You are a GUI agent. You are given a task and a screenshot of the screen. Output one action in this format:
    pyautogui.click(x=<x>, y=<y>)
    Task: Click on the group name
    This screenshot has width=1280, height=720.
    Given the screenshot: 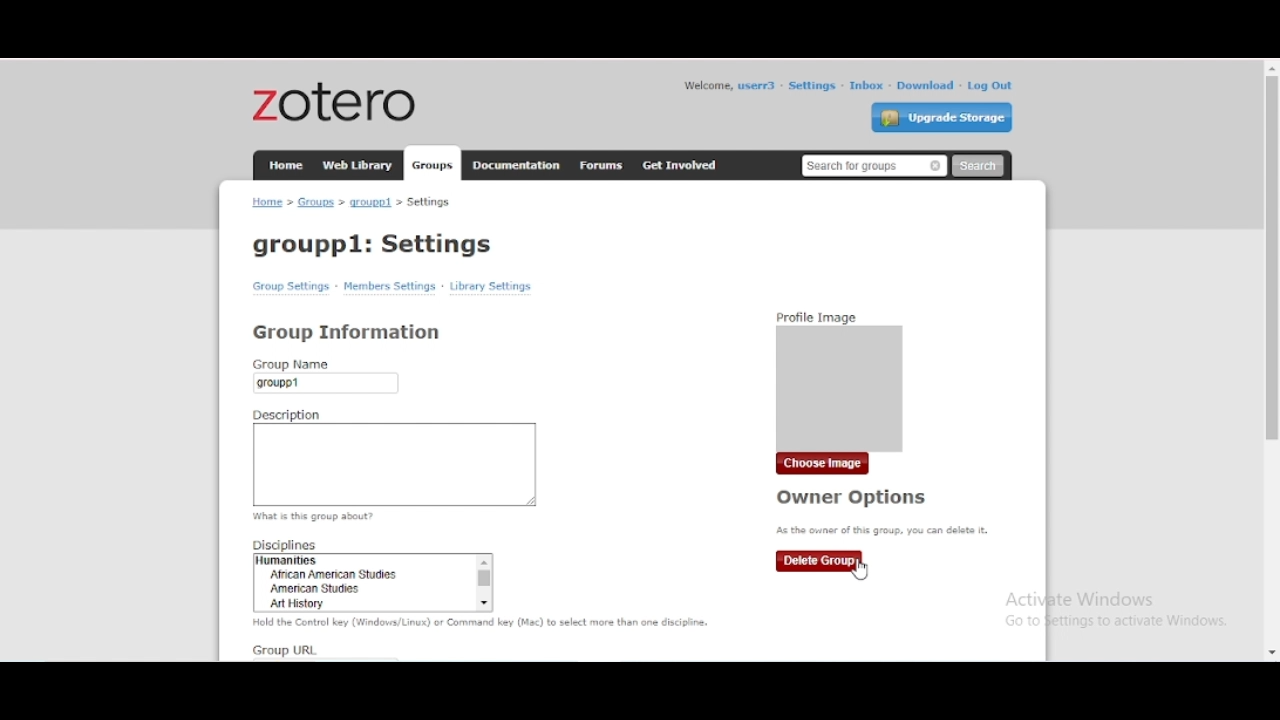 What is the action you would take?
    pyautogui.click(x=328, y=376)
    